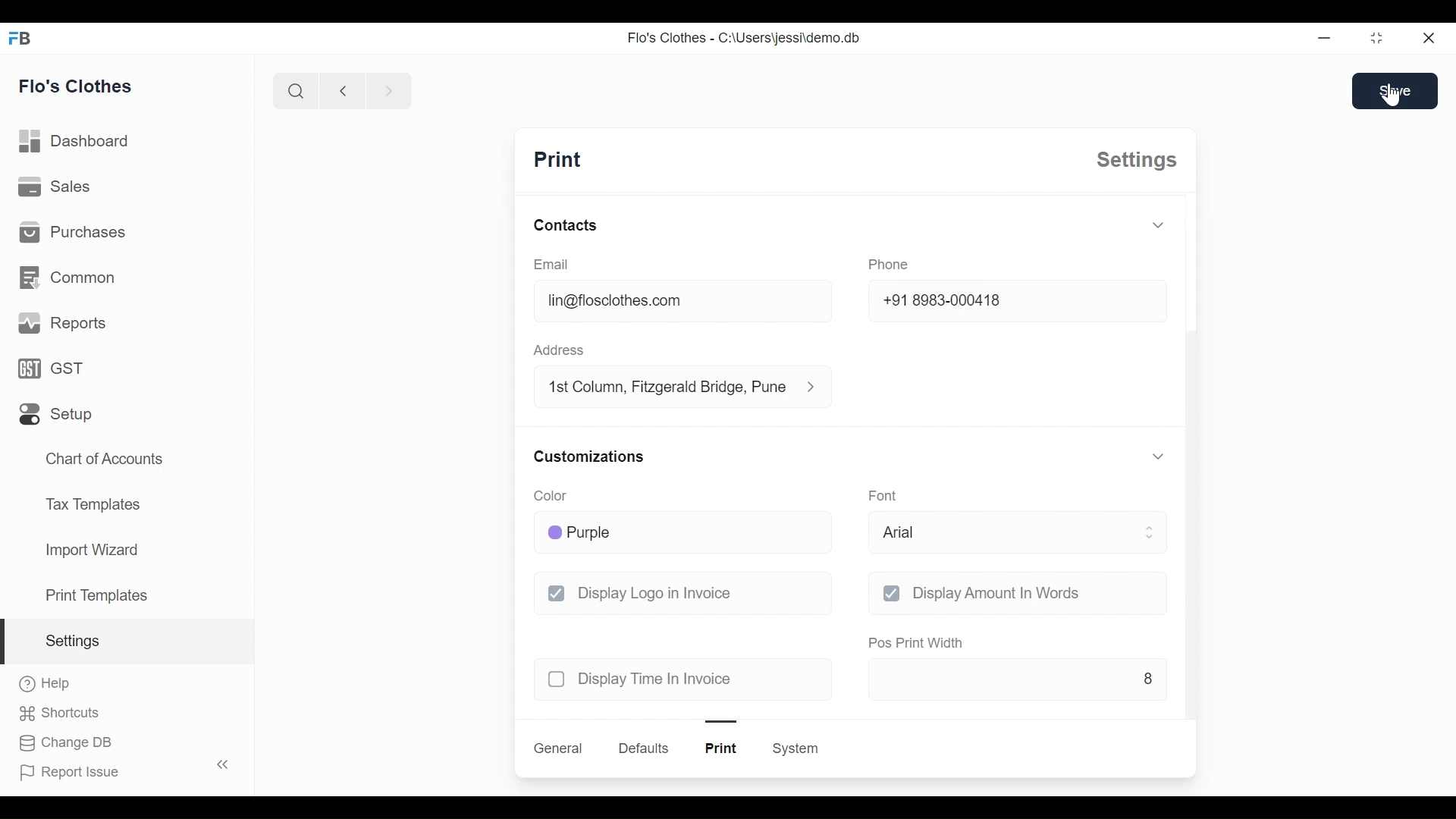 The image size is (1456, 819). Describe the element at coordinates (1137, 160) in the screenshot. I see `settings` at that location.